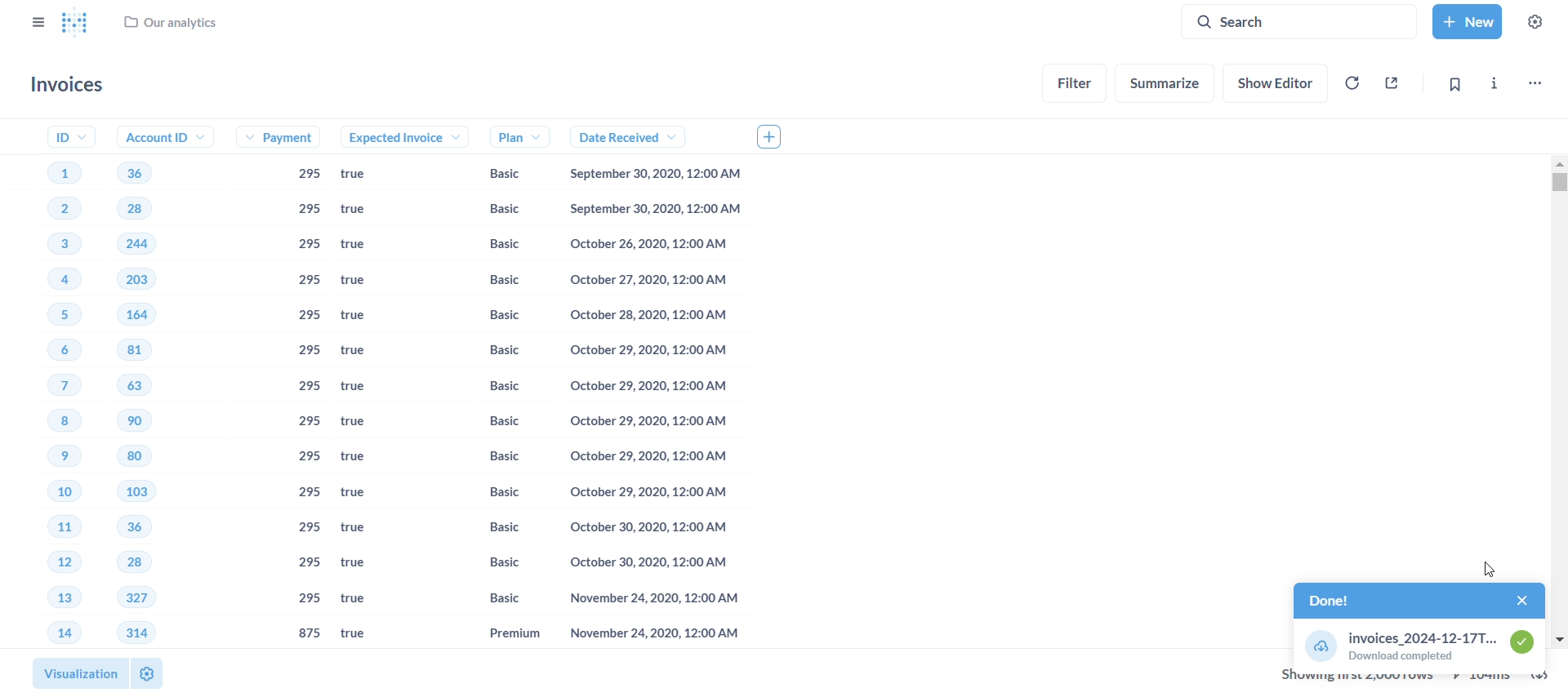 This screenshot has width=1568, height=697. What do you see at coordinates (1540, 20) in the screenshot?
I see `settings` at bounding box center [1540, 20].